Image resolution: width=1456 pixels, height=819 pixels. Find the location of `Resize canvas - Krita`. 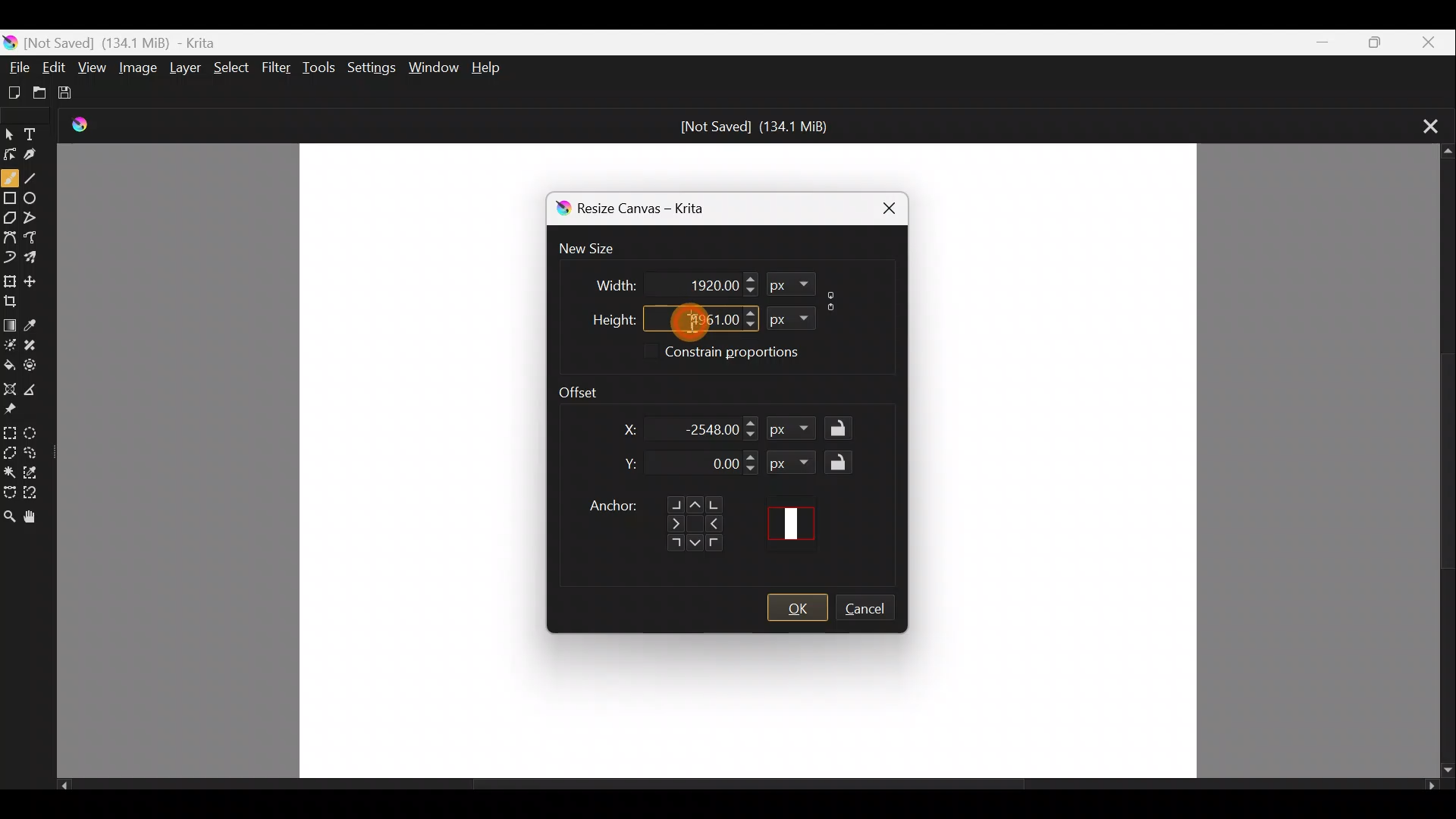

Resize canvas - Krita is located at coordinates (658, 211).